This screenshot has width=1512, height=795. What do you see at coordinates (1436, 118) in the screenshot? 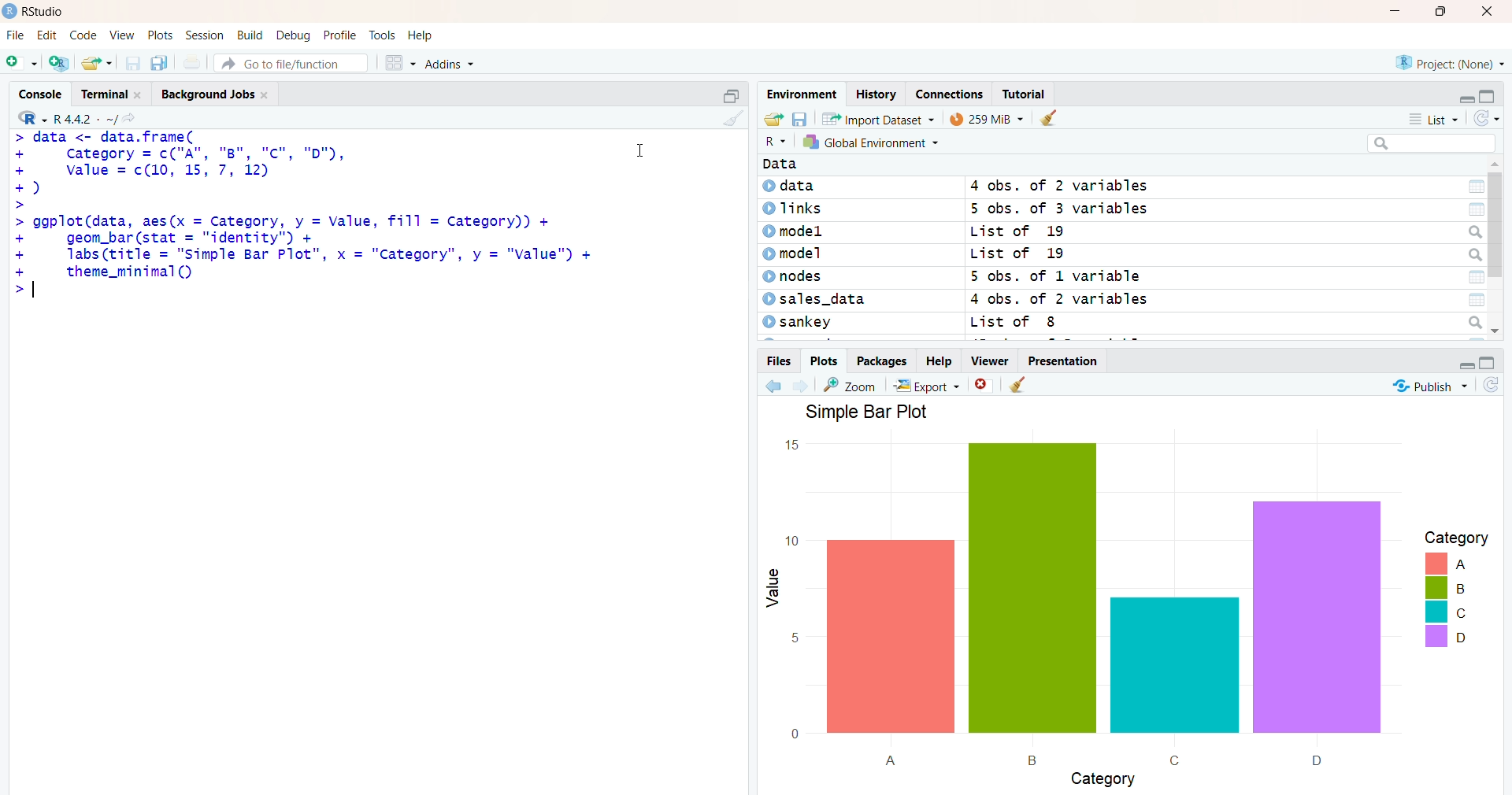
I see `list view` at bounding box center [1436, 118].